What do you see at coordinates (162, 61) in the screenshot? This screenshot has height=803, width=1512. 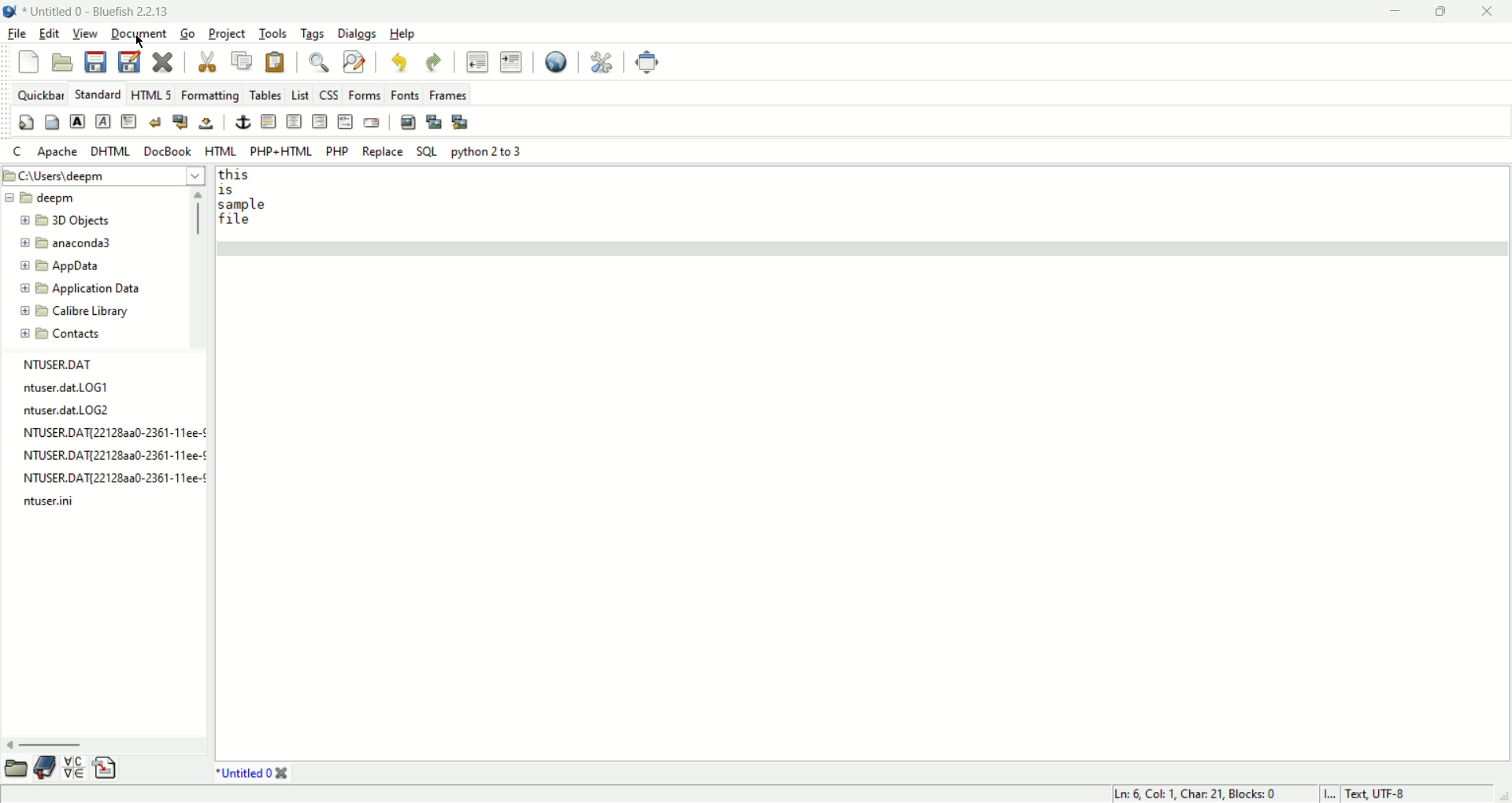 I see `close` at bounding box center [162, 61].